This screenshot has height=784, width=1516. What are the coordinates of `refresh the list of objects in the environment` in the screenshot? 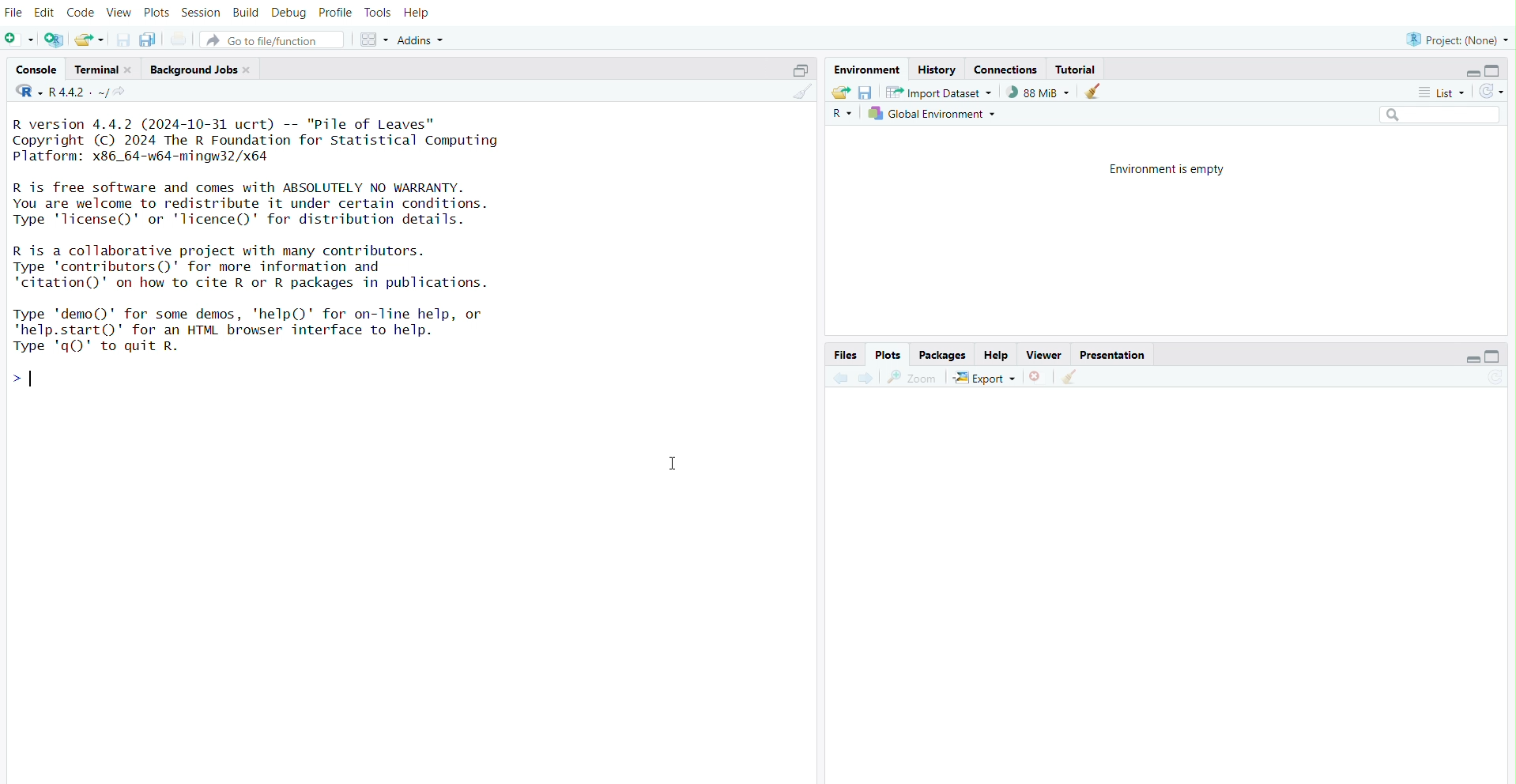 It's located at (1497, 92).